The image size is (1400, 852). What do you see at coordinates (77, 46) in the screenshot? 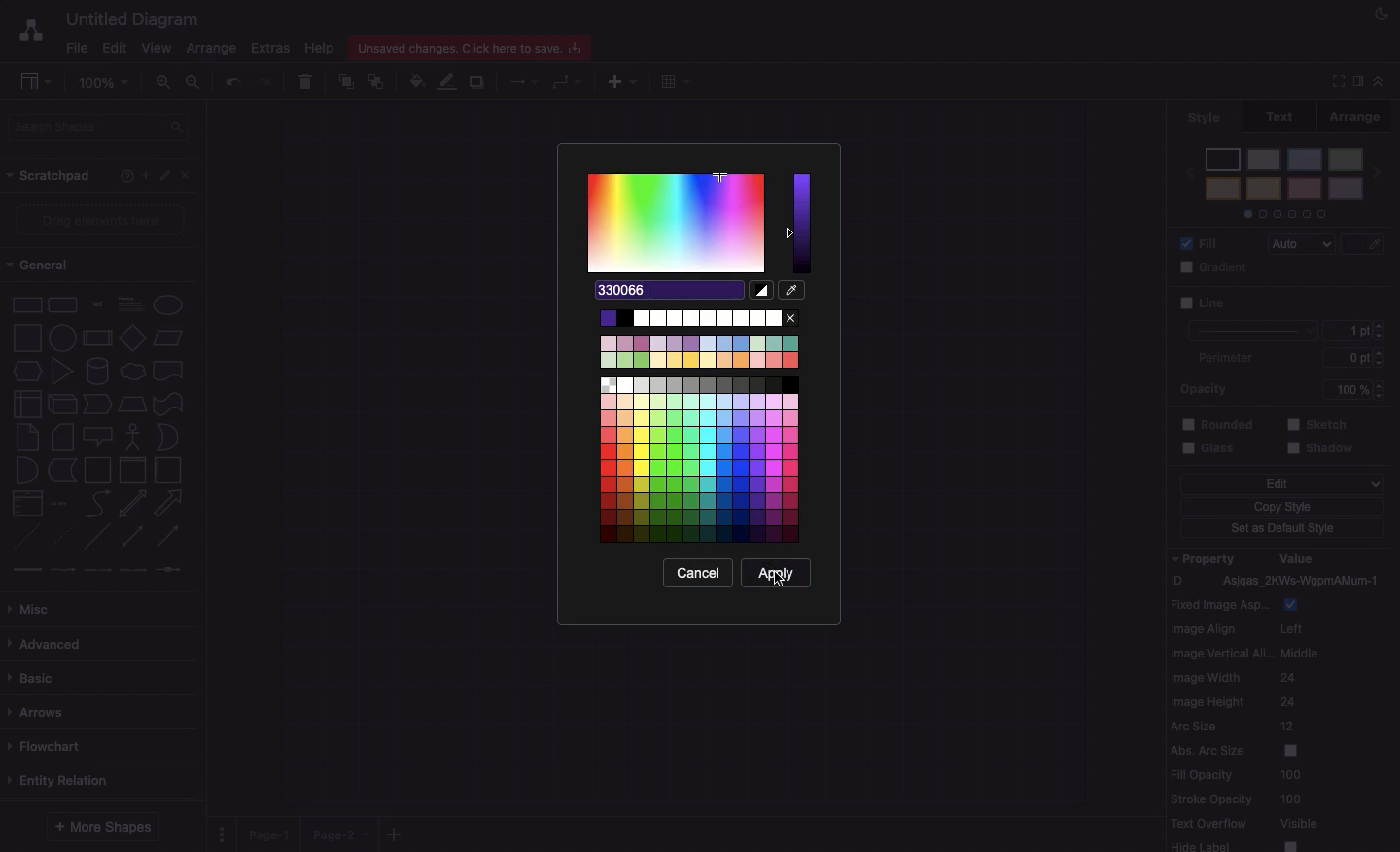
I see `File` at bounding box center [77, 46].